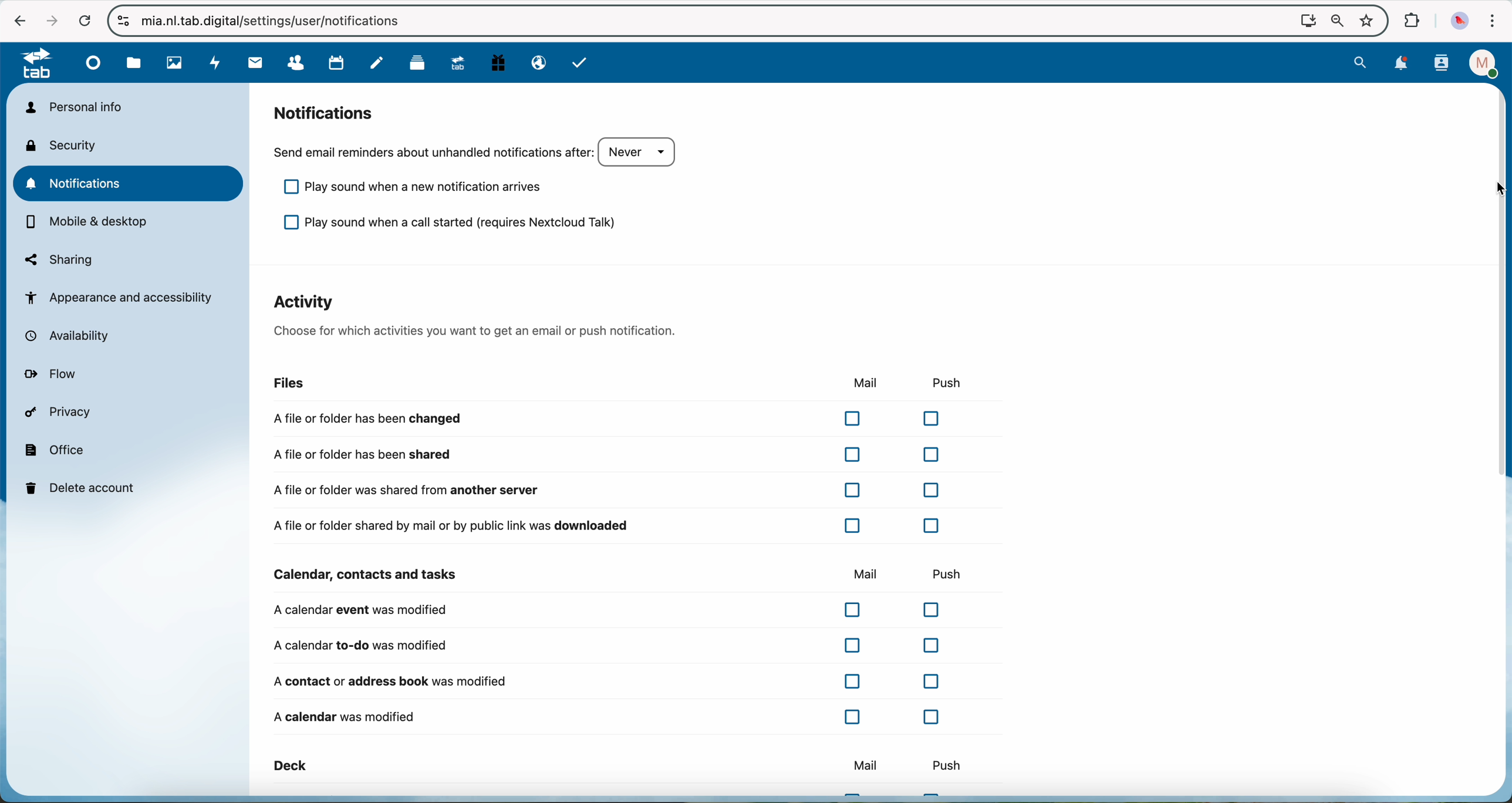  What do you see at coordinates (283, 21) in the screenshot?
I see `url` at bounding box center [283, 21].